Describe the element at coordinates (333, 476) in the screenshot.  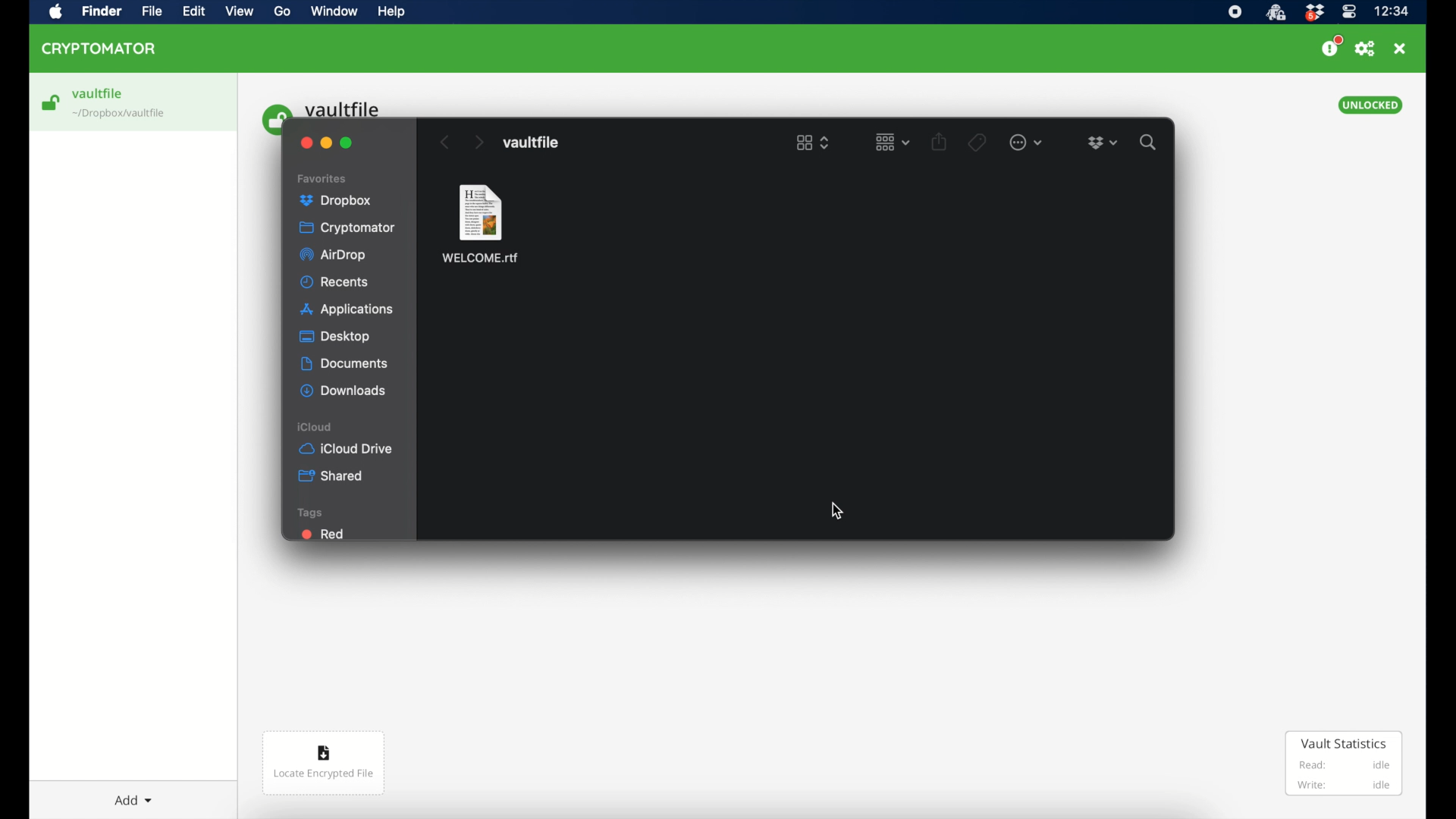
I see `shared` at that location.